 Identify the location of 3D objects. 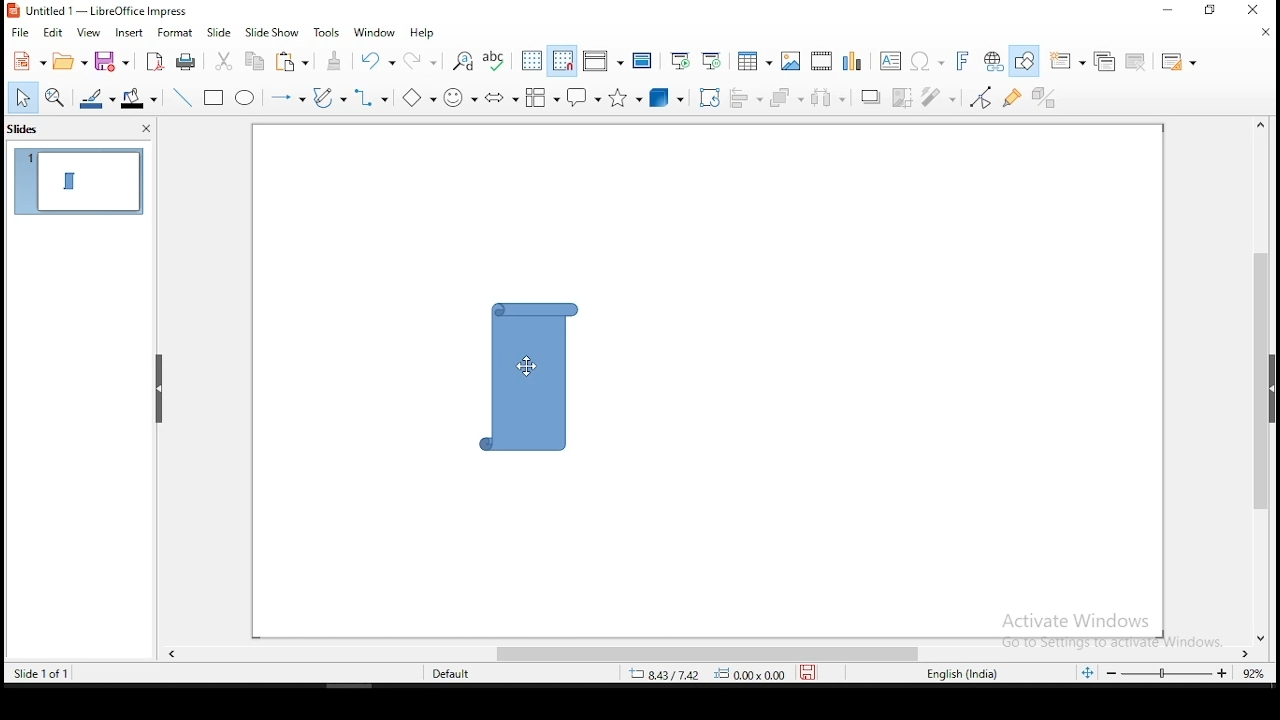
(666, 98).